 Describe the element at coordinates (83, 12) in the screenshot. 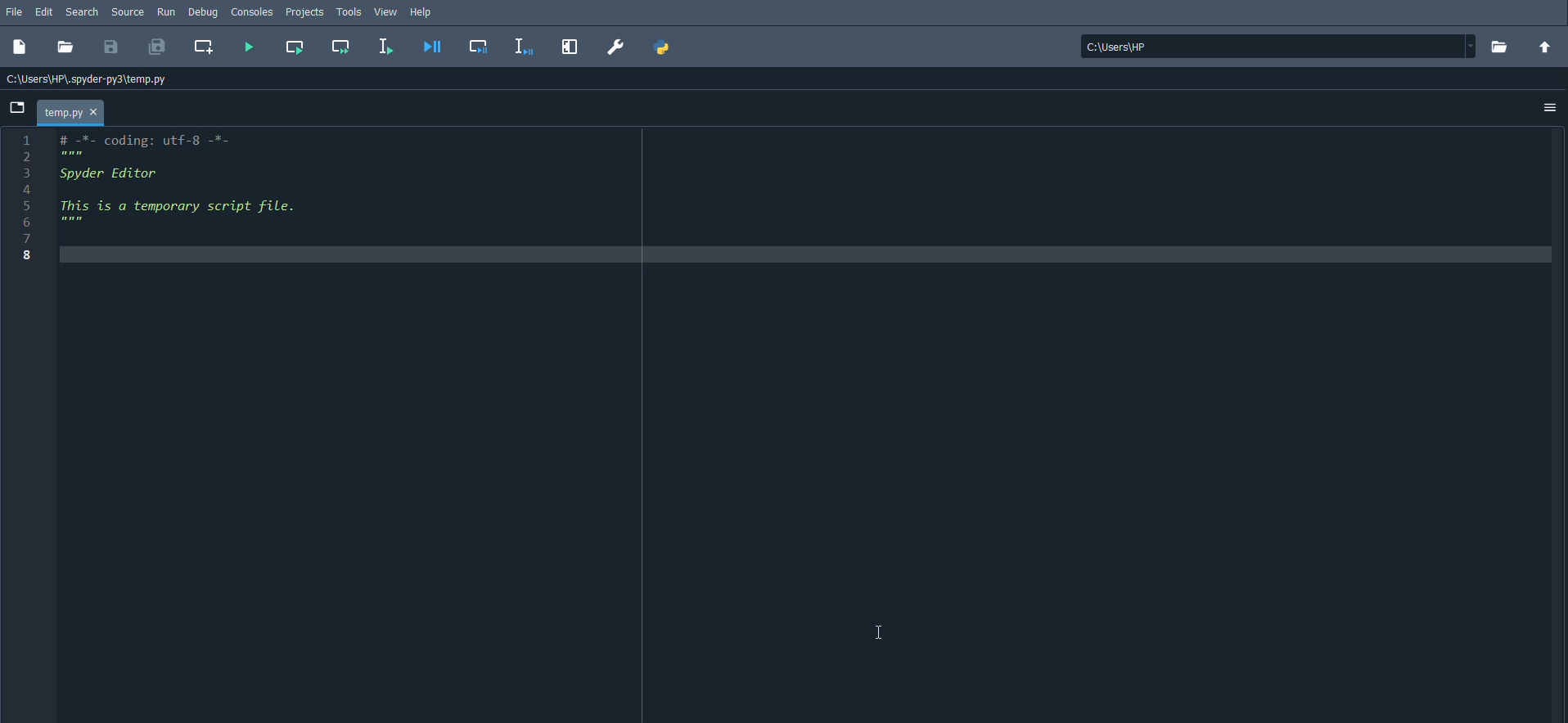

I see `Search` at that location.